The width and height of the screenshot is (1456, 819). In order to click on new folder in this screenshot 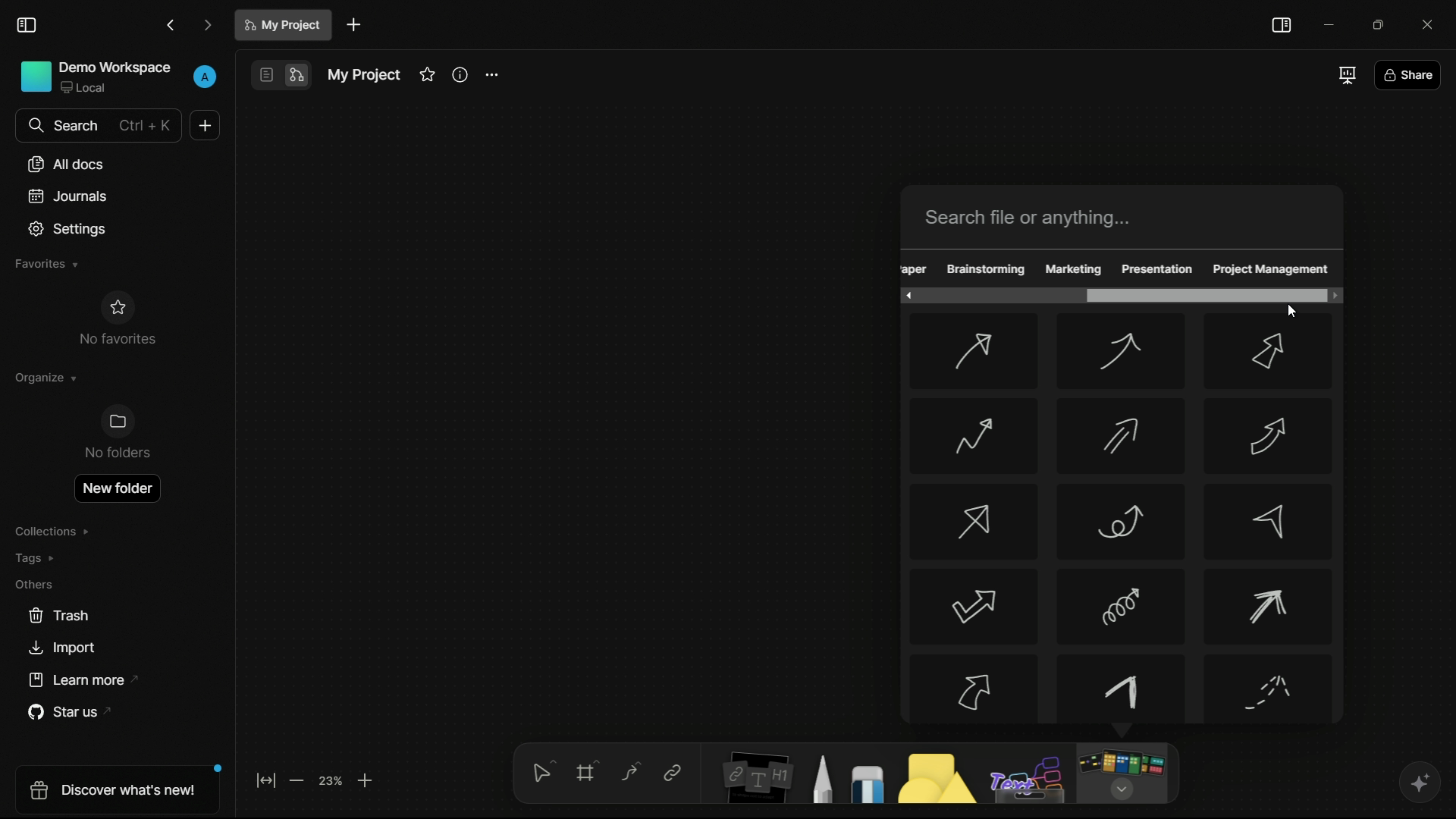, I will do `click(116, 488)`.